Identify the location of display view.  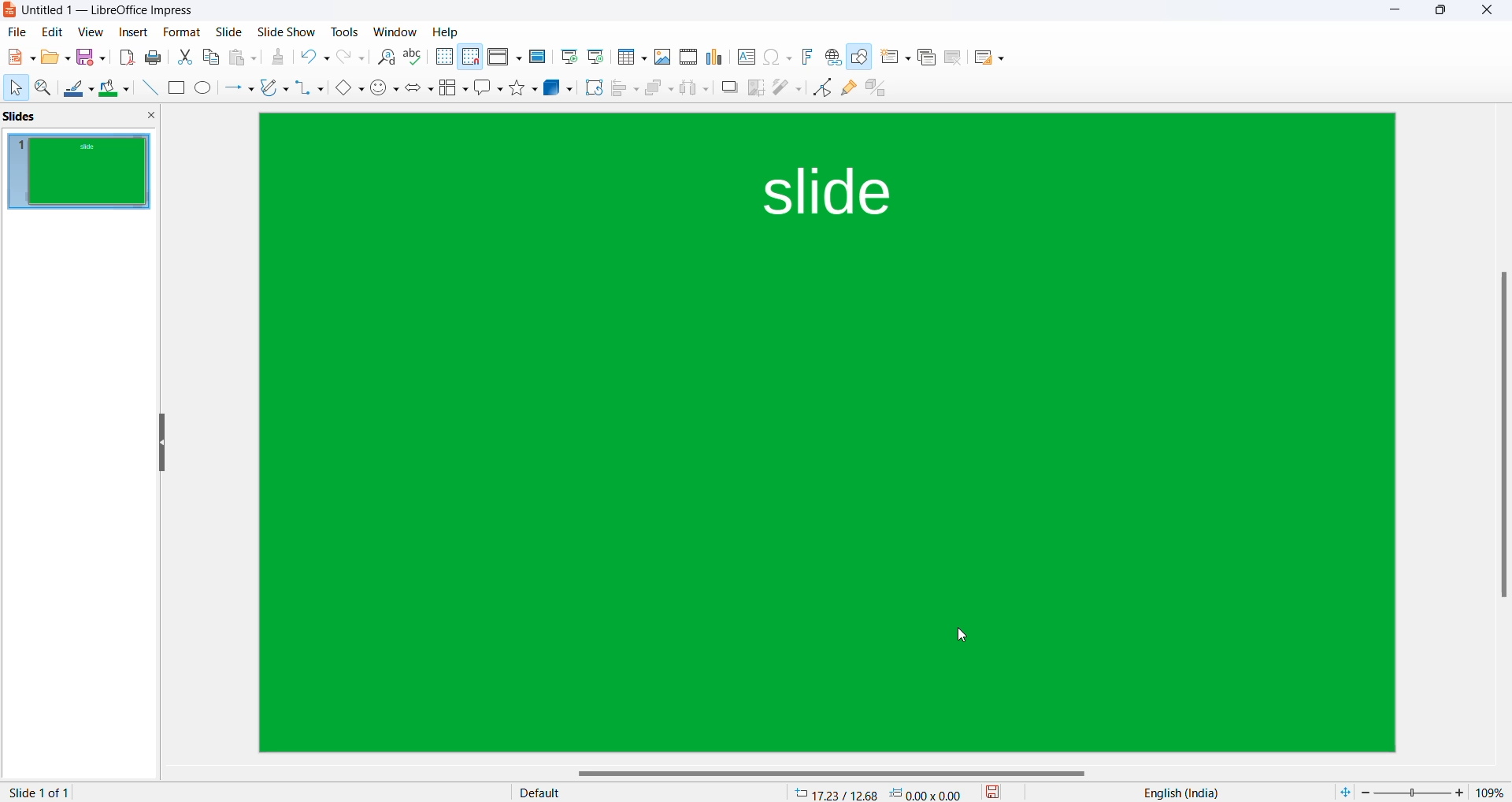
(505, 58).